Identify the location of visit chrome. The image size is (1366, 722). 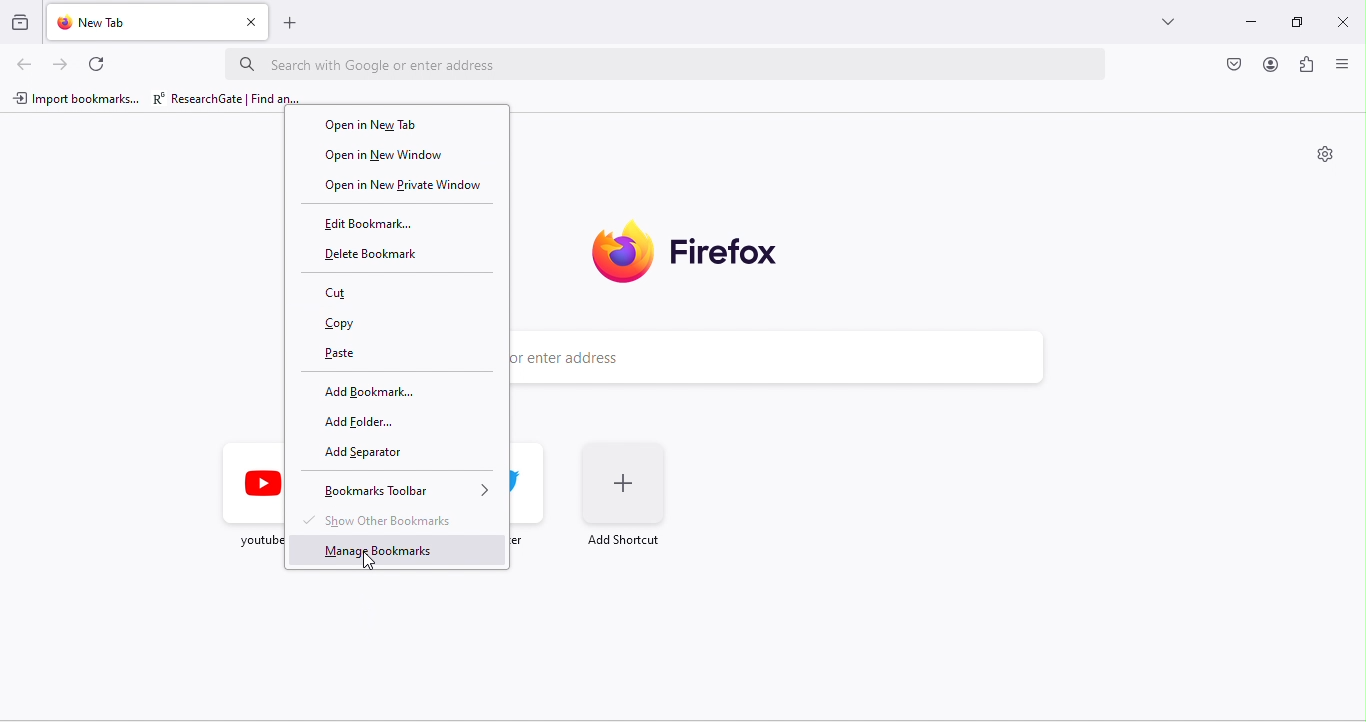
(1236, 66).